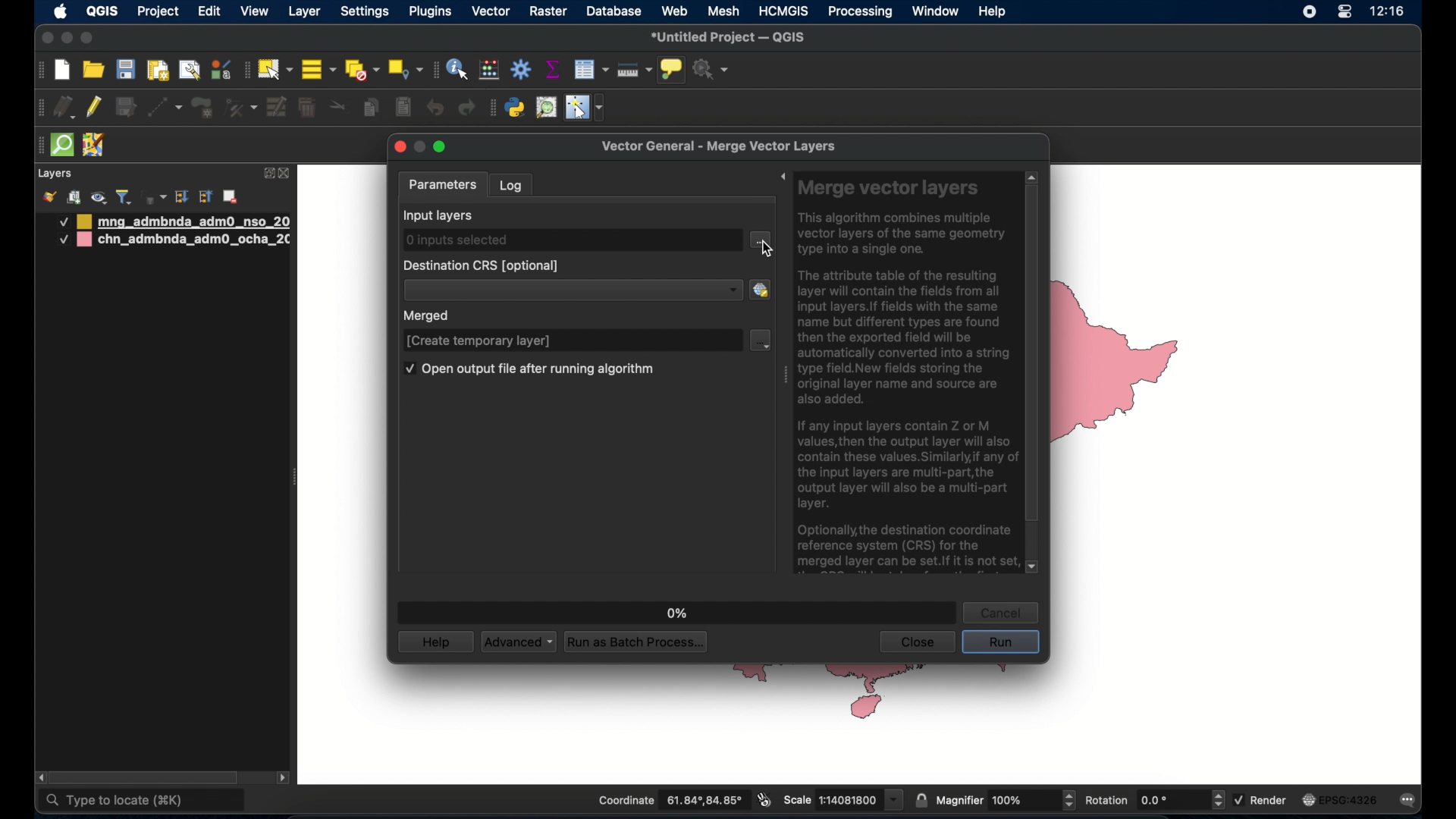  Describe the element at coordinates (489, 69) in the screenshot. I see `open field calculator` at that location.